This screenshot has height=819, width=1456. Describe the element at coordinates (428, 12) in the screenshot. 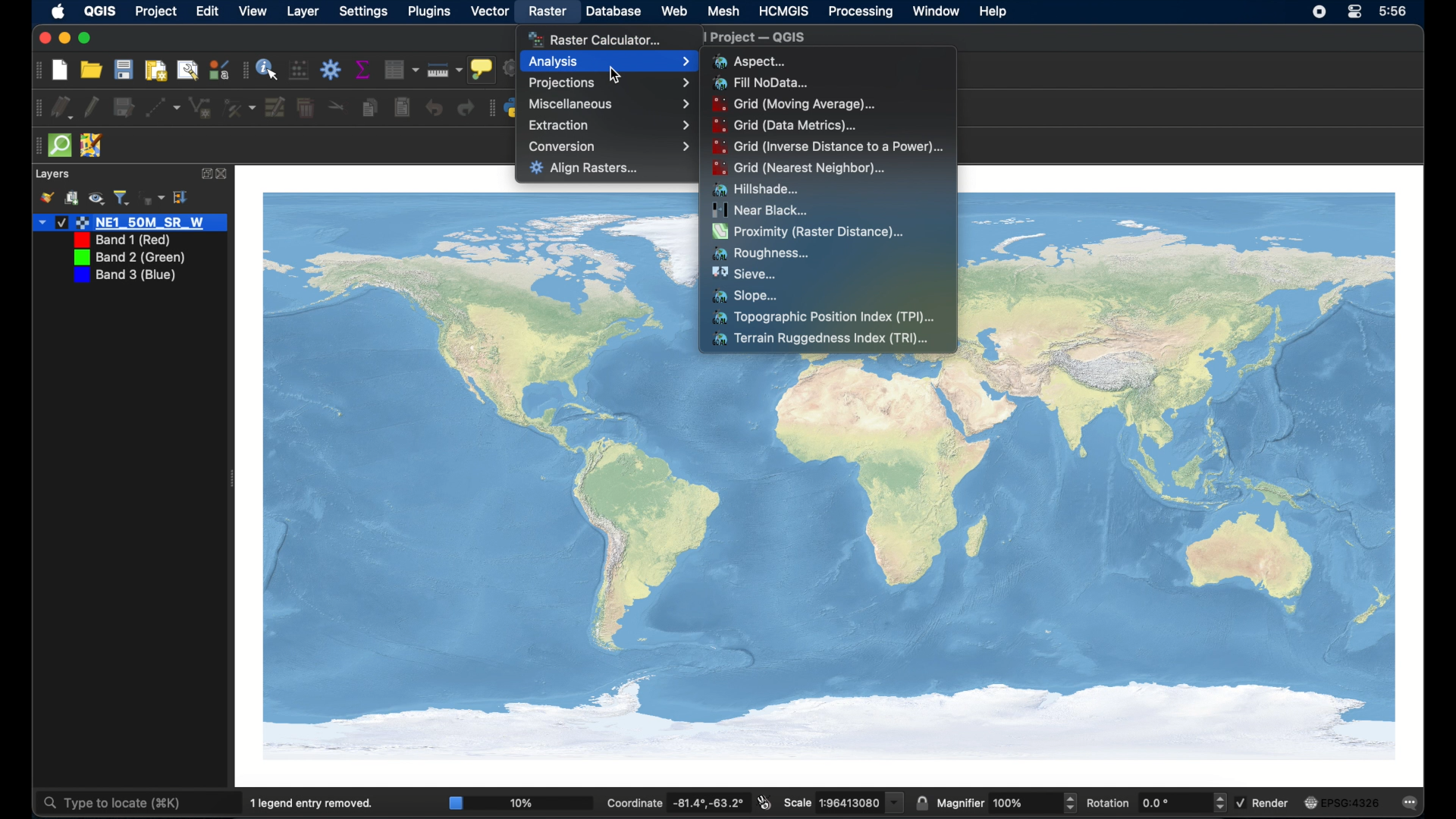

I see `plugins` at that location.